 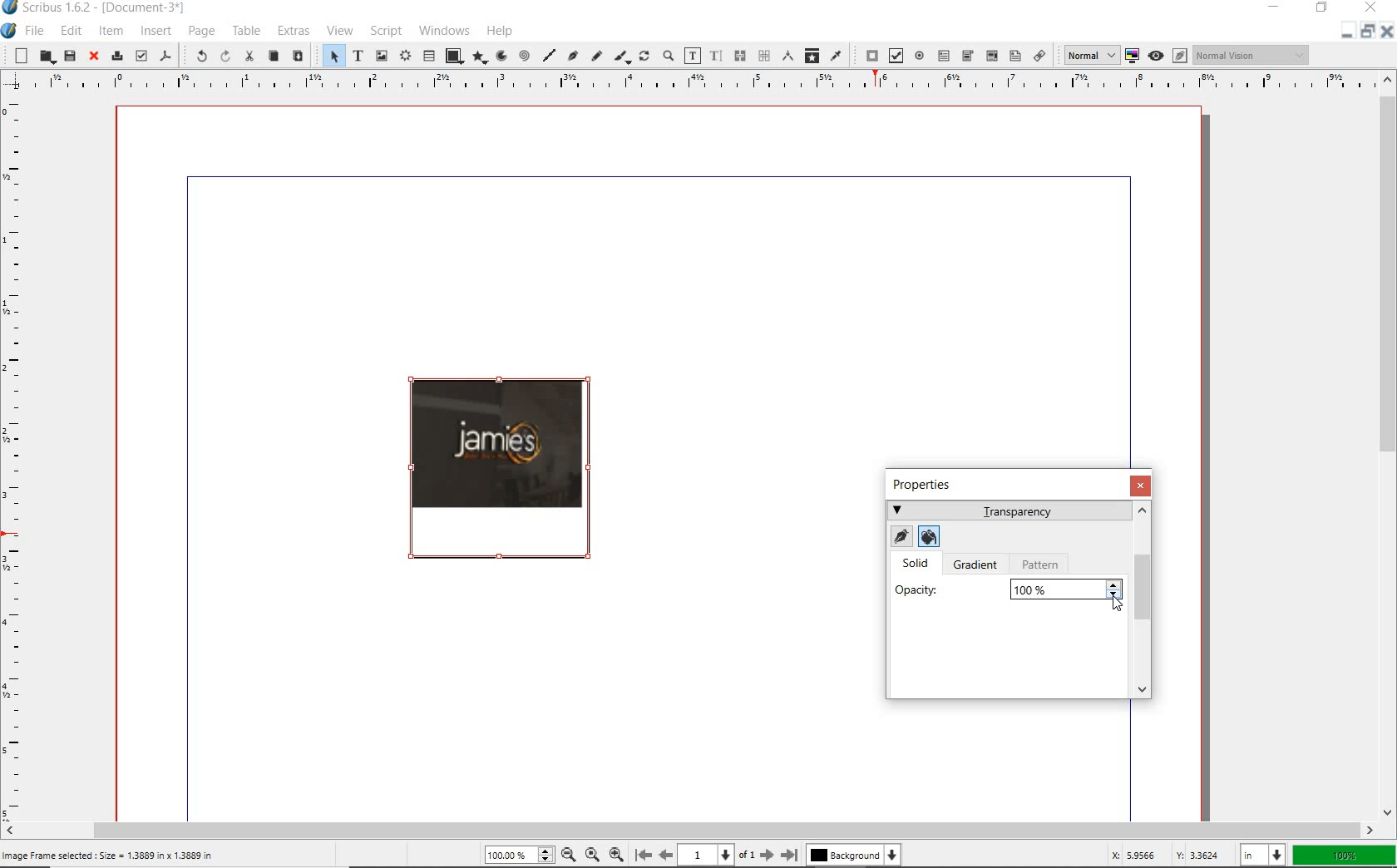 I want to click on WINDOWS, so click(x=444, y=31).